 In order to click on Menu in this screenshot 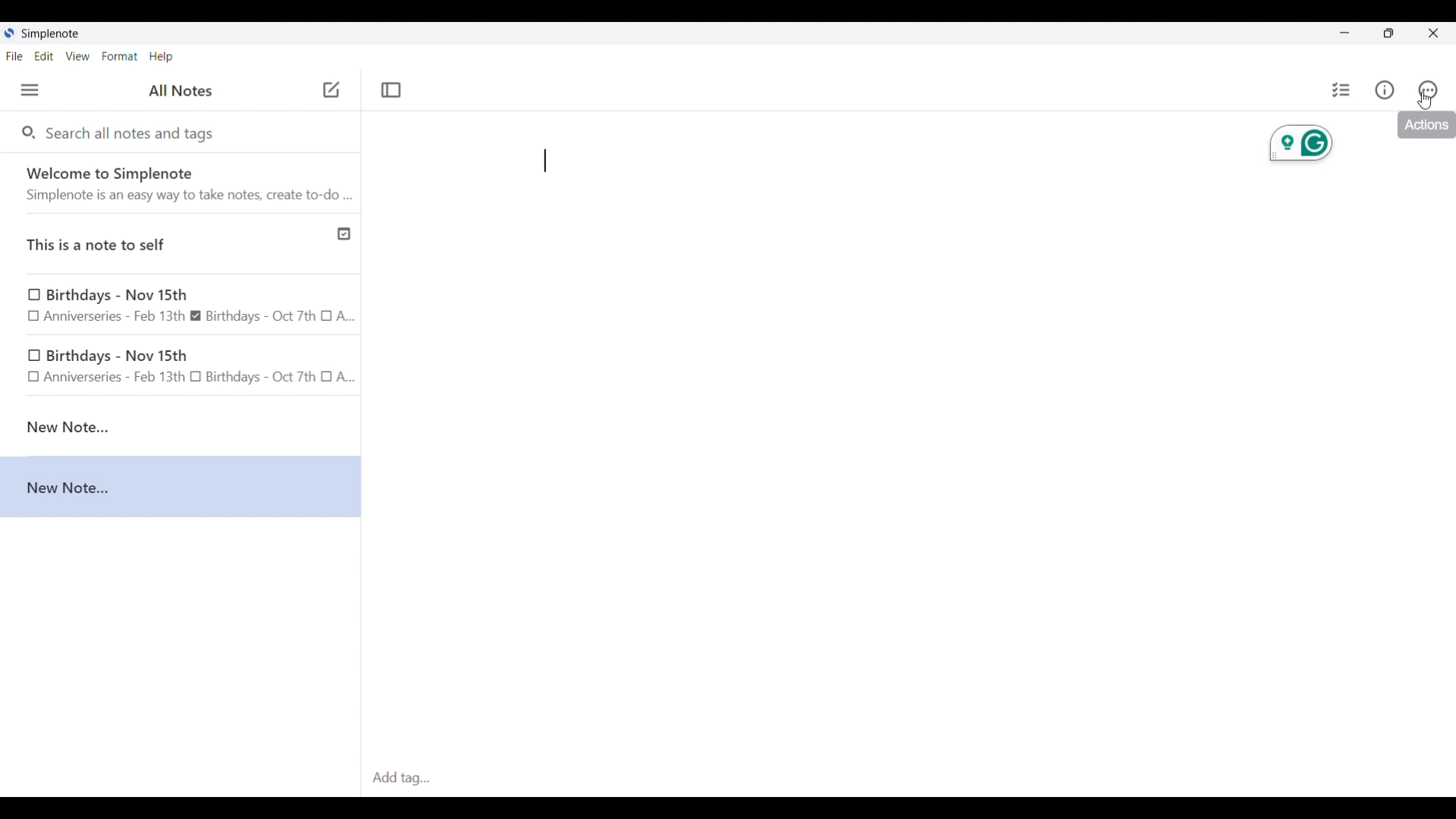, I will do `click(30, 89)`.